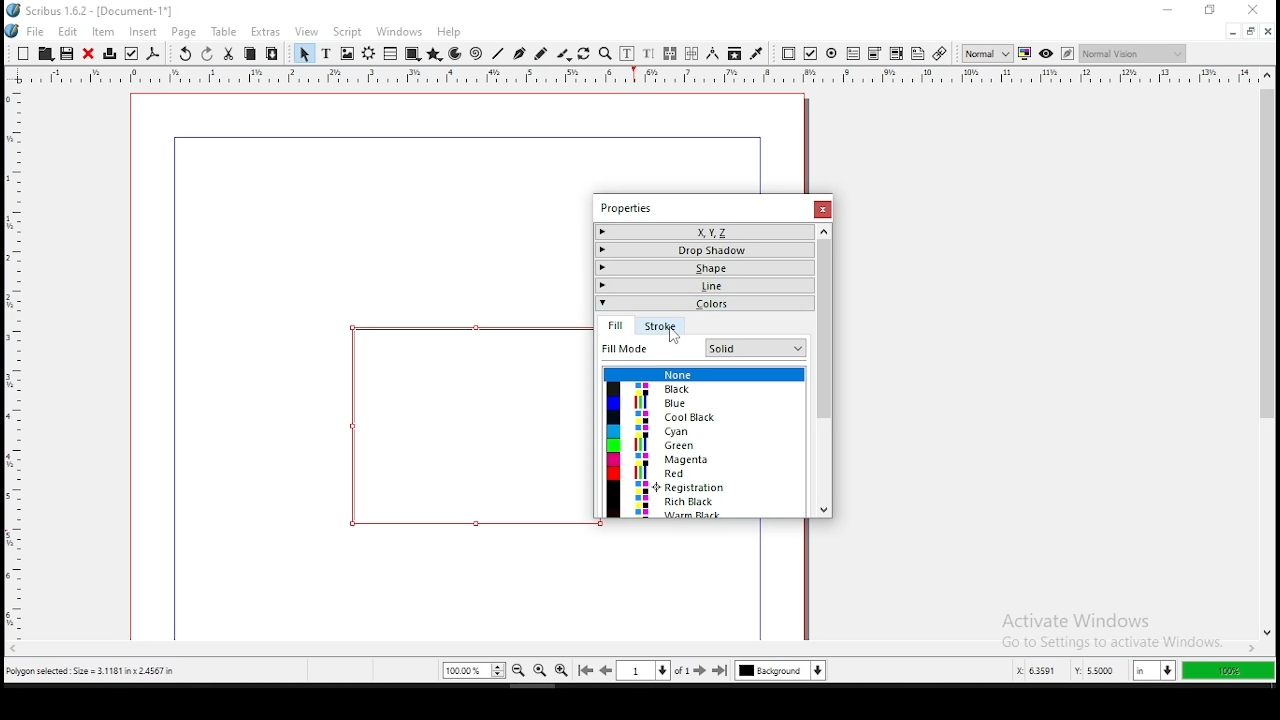 This screenshot has width=1280, height=720. What do you see at coordinates (1151, 671) in the screenshot?
I see `in` at bounding box center [1151, 671].